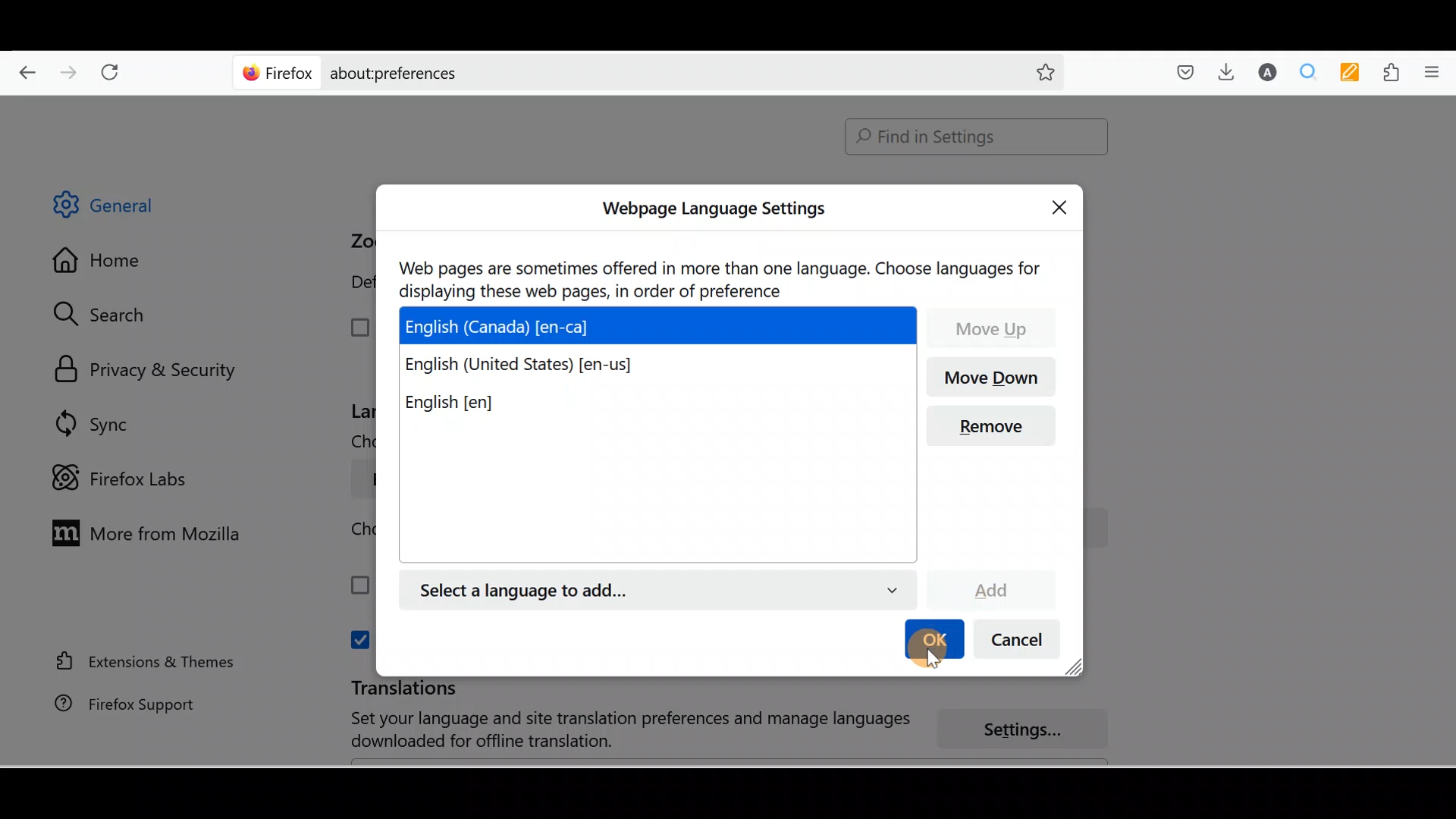  Describe the element at coordinates (107, 314) in the screenshot. I see `Search` at that location.